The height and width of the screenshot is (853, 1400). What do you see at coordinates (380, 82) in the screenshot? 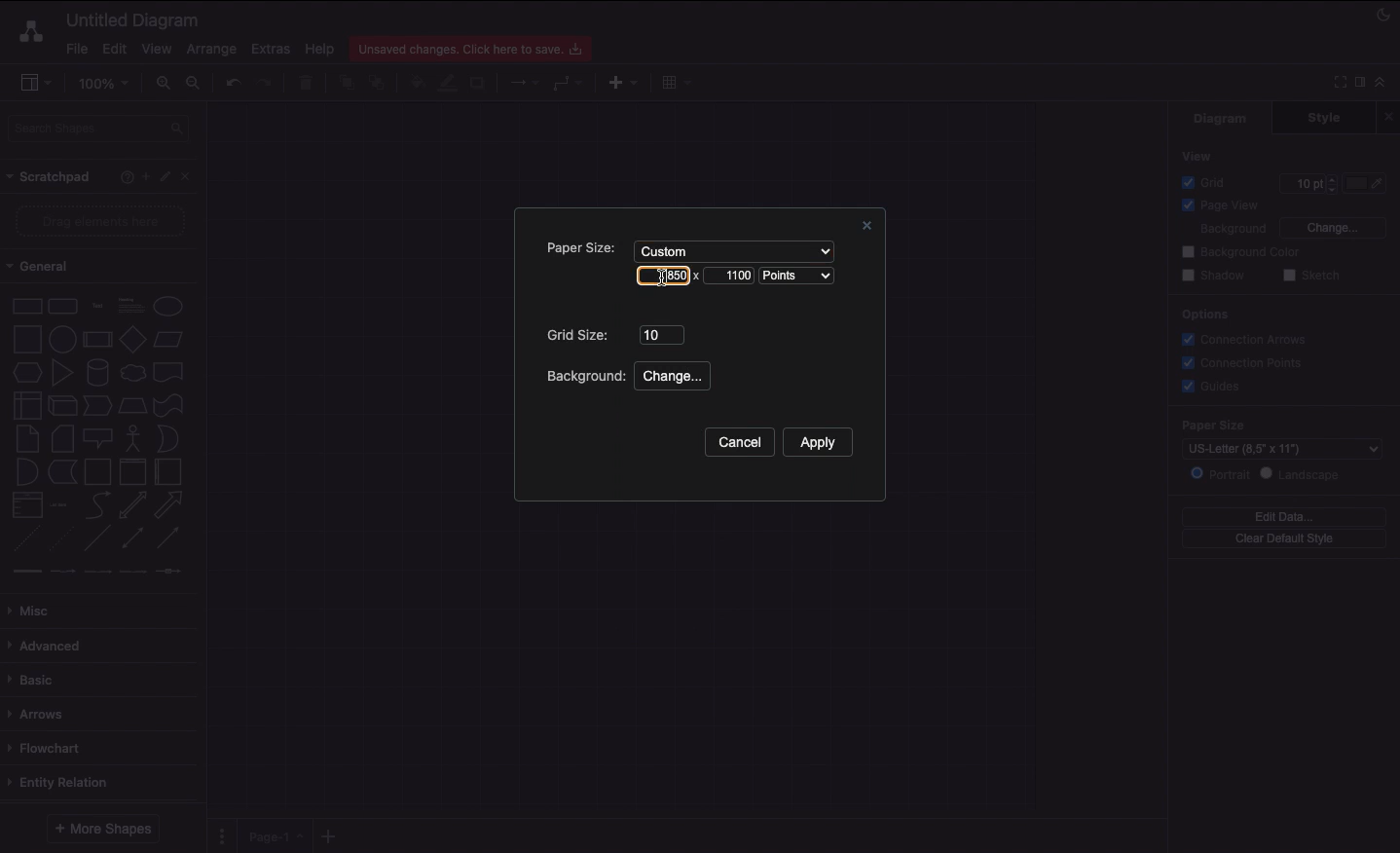
I see `To back` at bounding box center [380, 82].